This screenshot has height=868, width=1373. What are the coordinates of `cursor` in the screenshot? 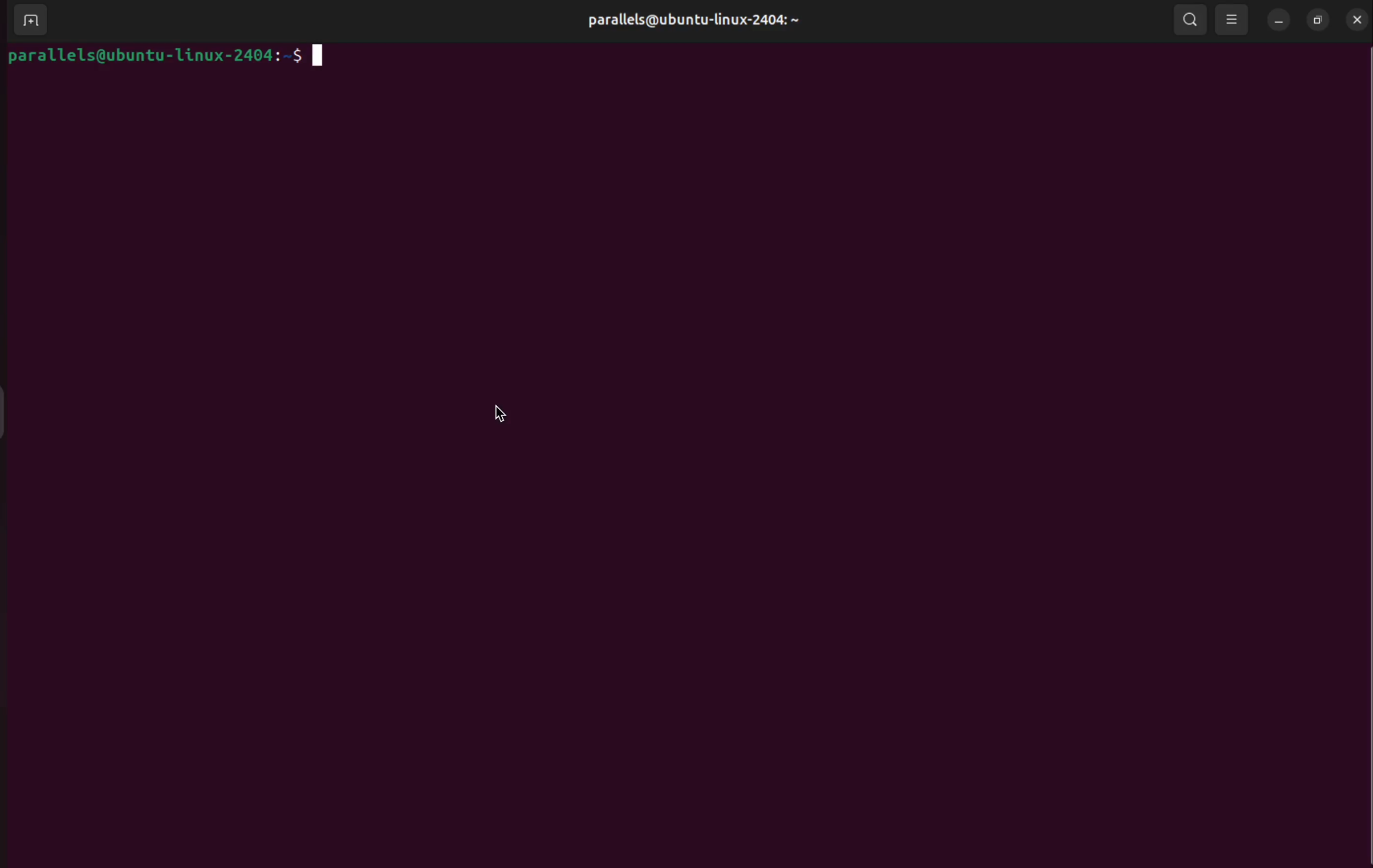 It's located at (503, 411).